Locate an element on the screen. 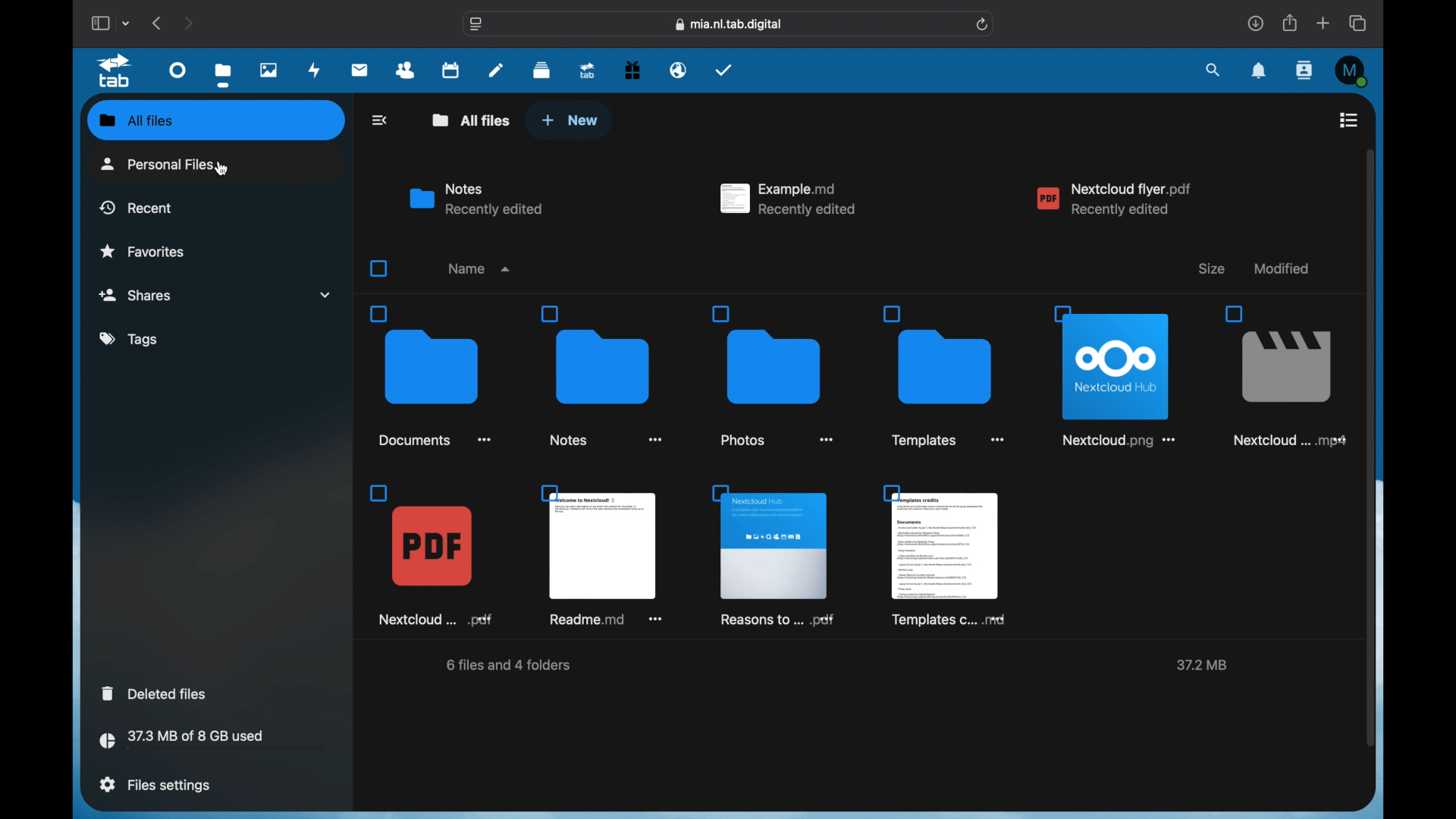 The width and height of the screenshot is (1456, 819). file is located at coordinates (1114, 377).